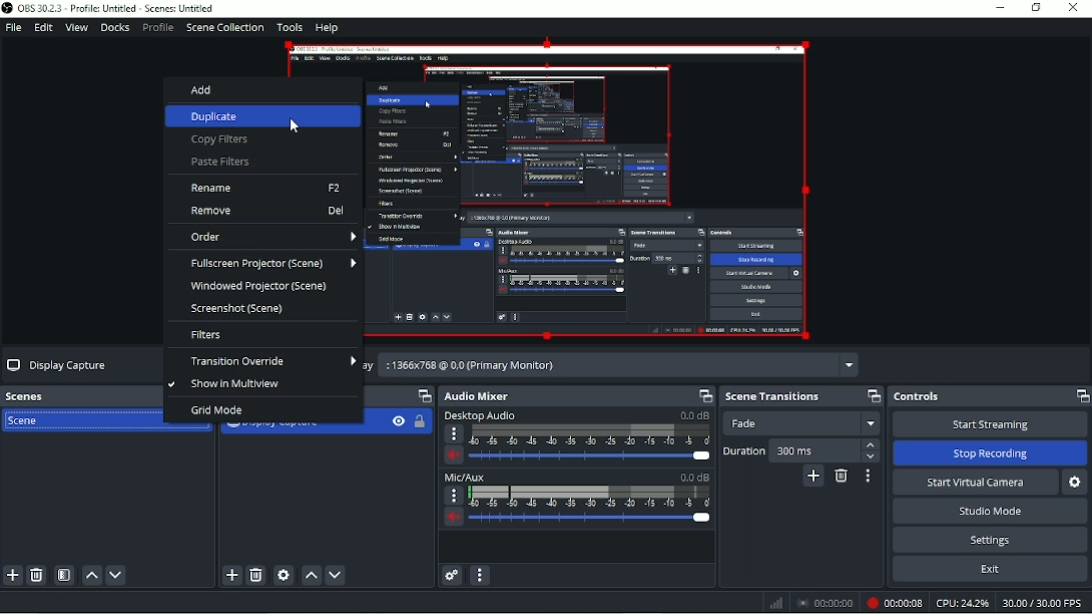 The image size is (1092, 614). I want to click on Move source(s) up, so click(311, 576).